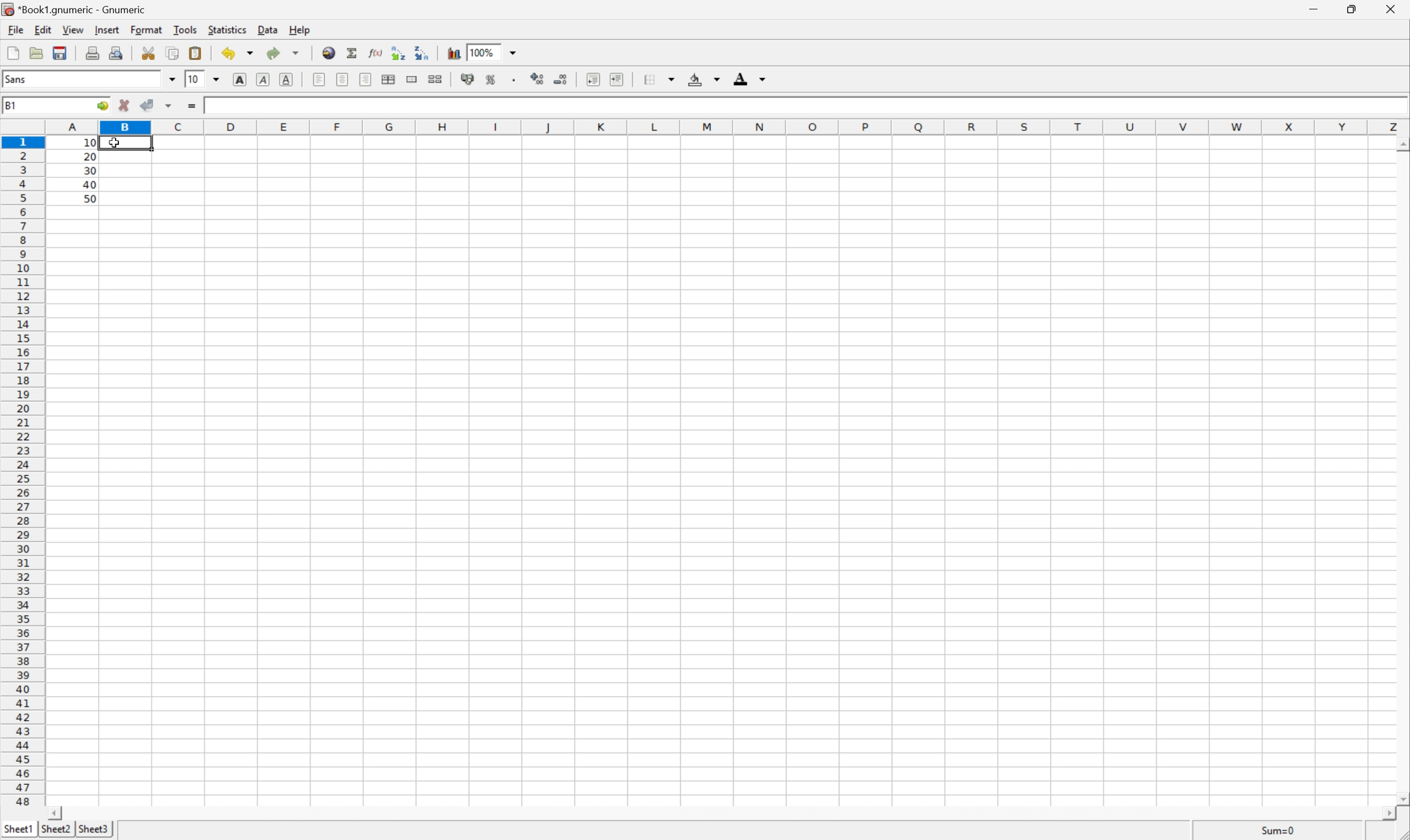  What do you see at coordinates (91, 170) in the screenshot?
I see `30` at bounding box center [91, 170].